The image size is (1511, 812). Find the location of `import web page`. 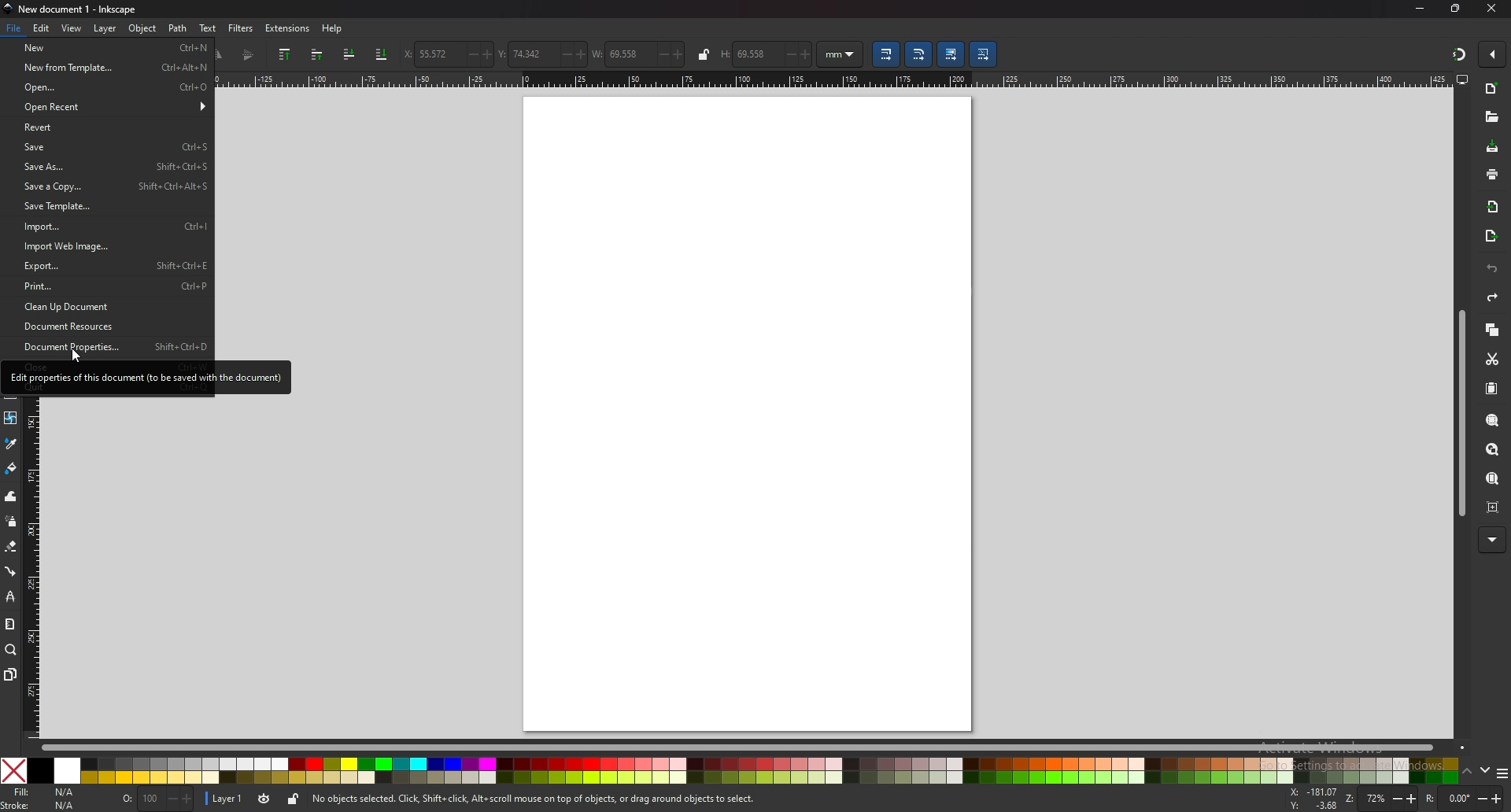

import web page is located at coordinates (105, 247).